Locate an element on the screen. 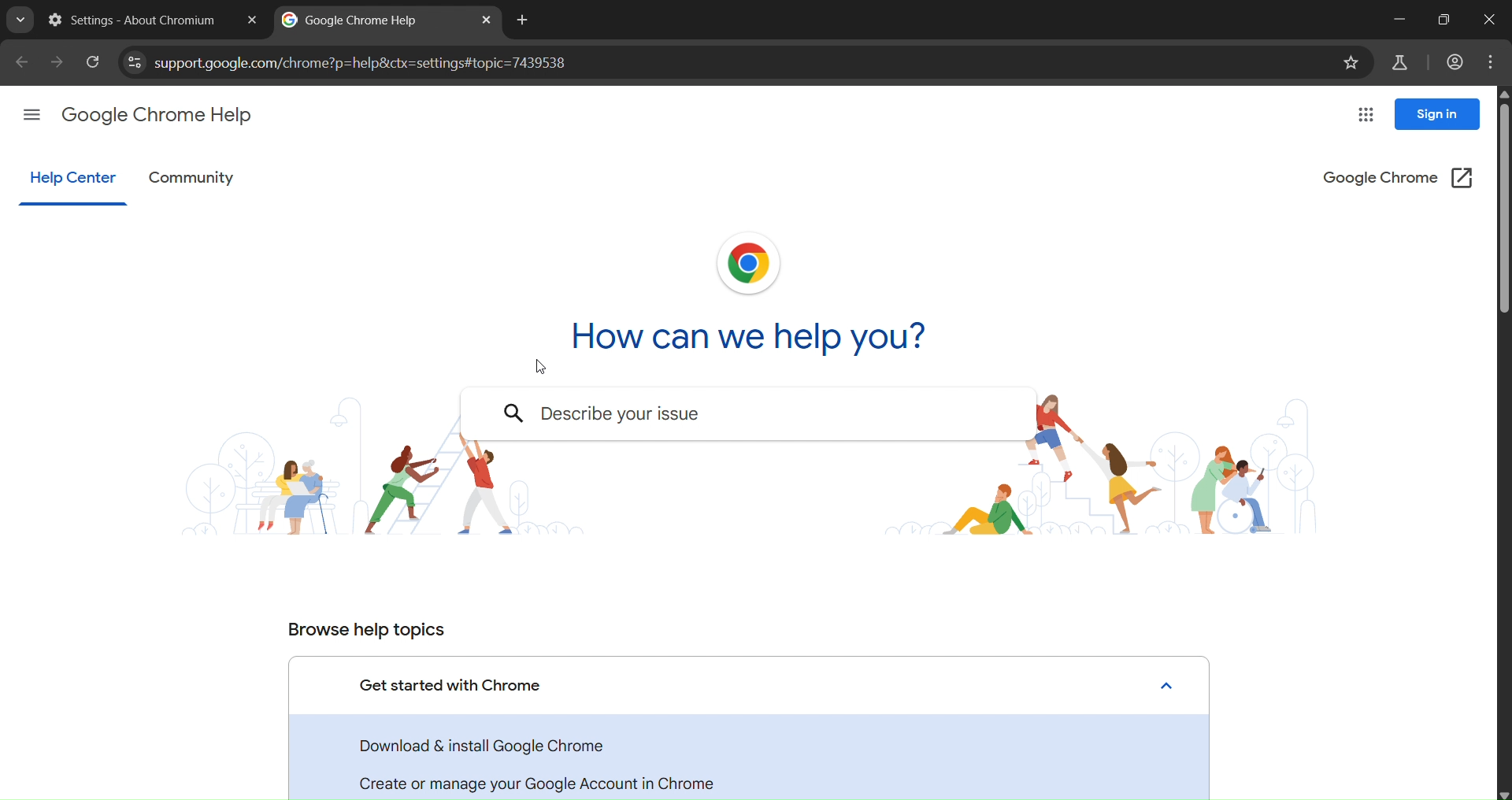 Image resolution: width=1512 pixels, height=800 pixels. go back one page is located at coordinates (20, 62).